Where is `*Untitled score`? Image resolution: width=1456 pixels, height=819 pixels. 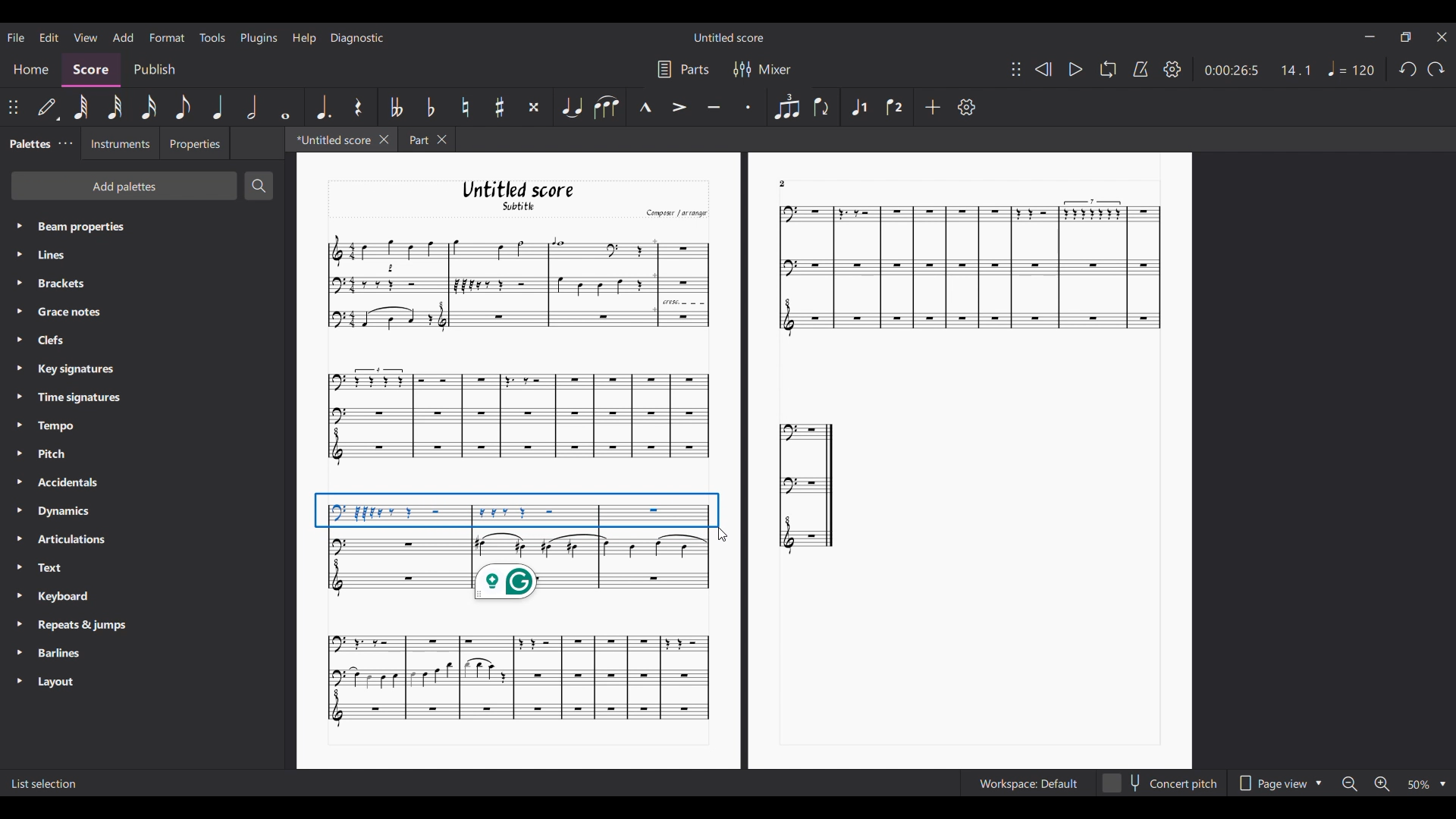
*Untitled score is located at coordinates (328, 139).